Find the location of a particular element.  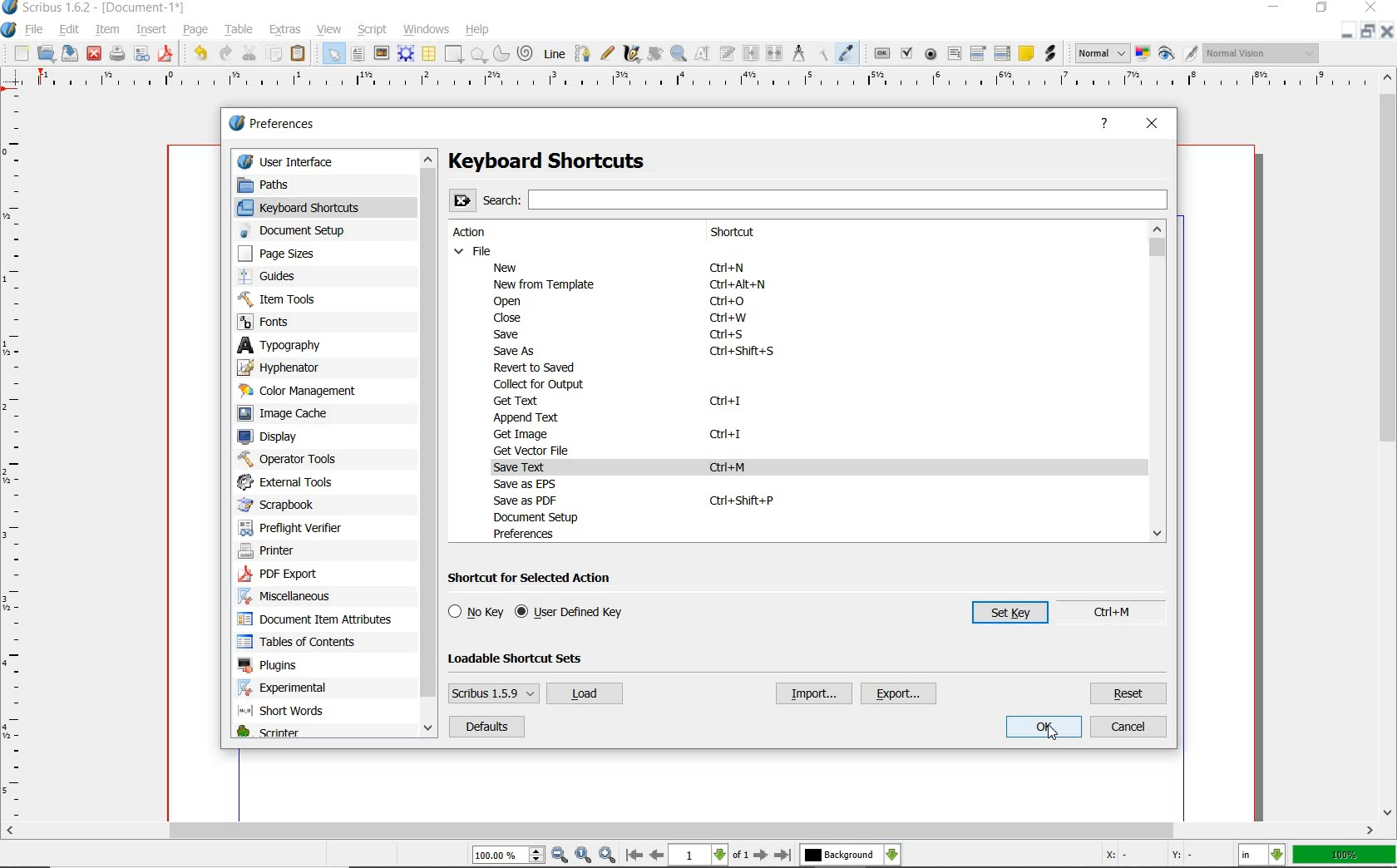

printer is located at coordinates (274, 552).